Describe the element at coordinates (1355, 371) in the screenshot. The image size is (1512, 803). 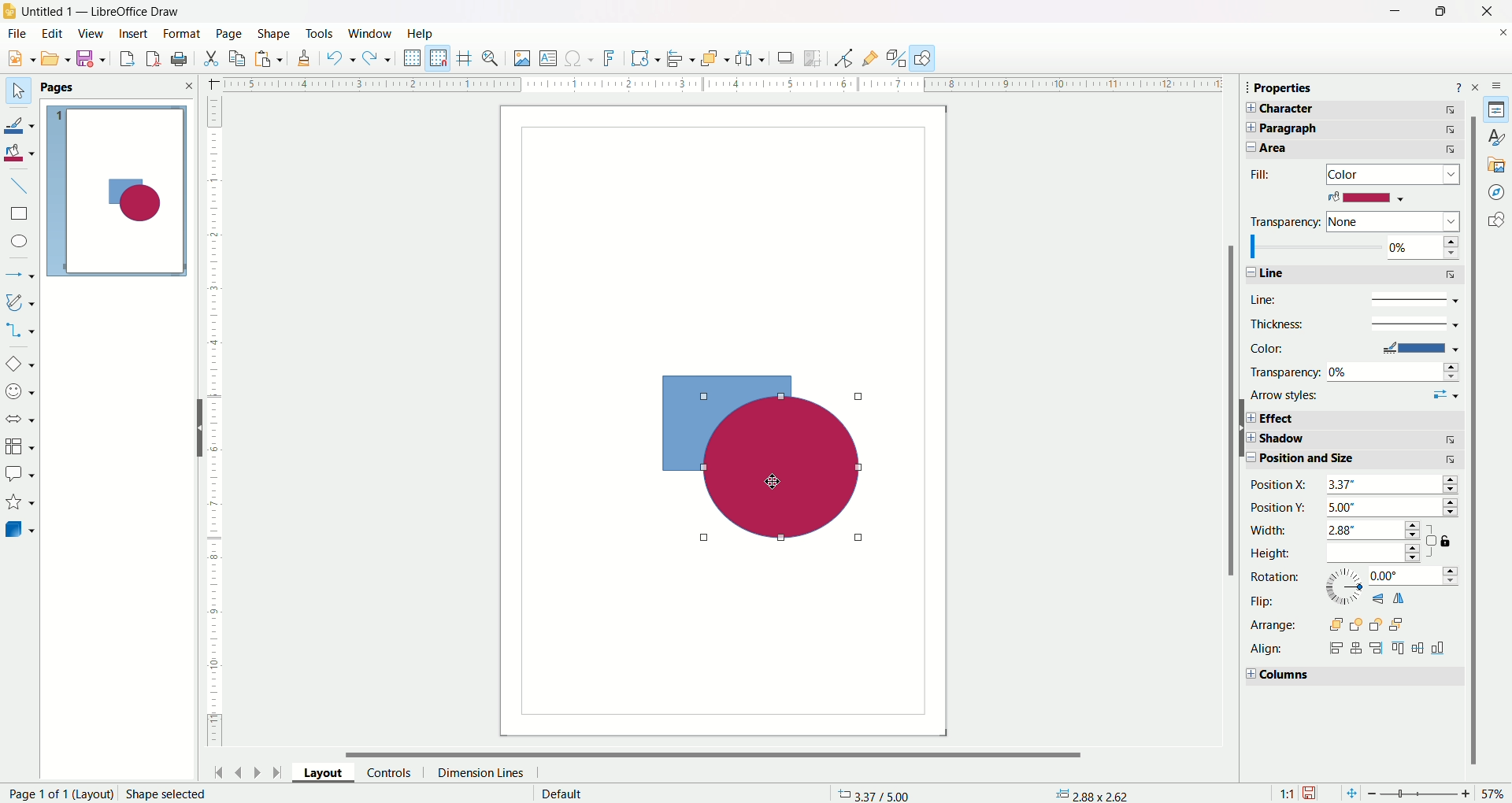
I see `transparency` at that location.